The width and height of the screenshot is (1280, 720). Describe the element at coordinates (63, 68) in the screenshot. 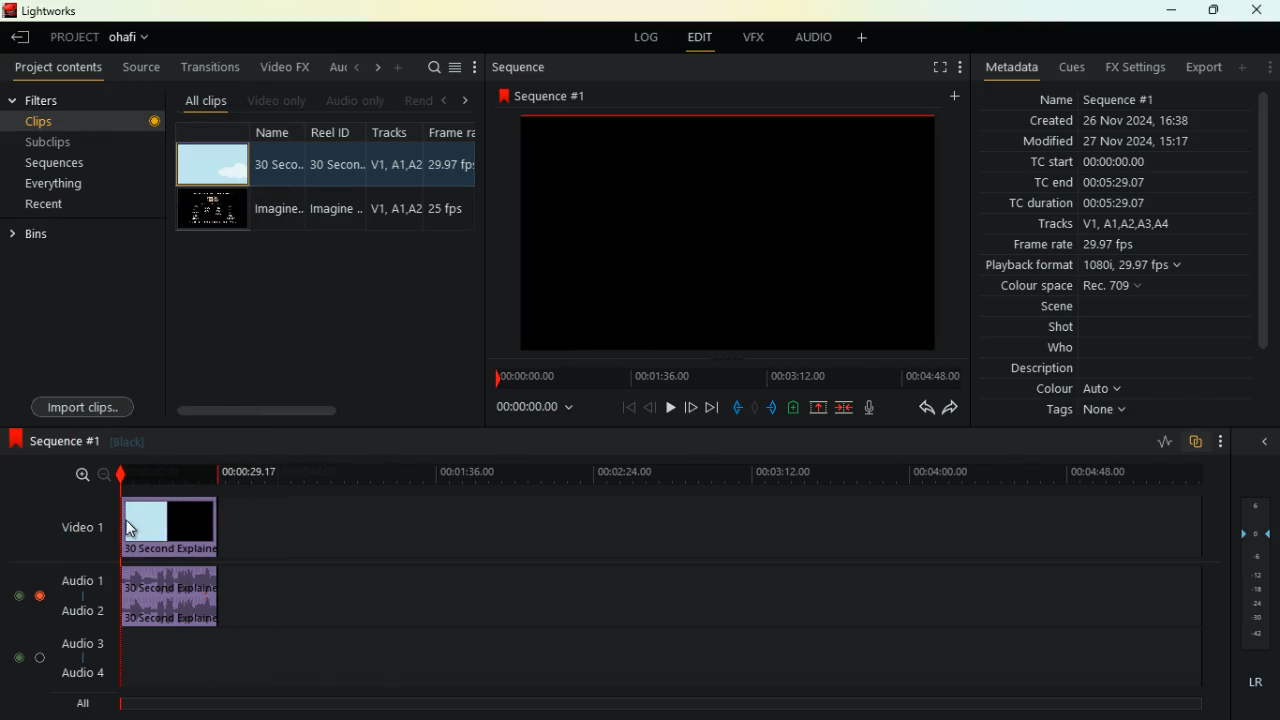

I see `project contents` at that location.